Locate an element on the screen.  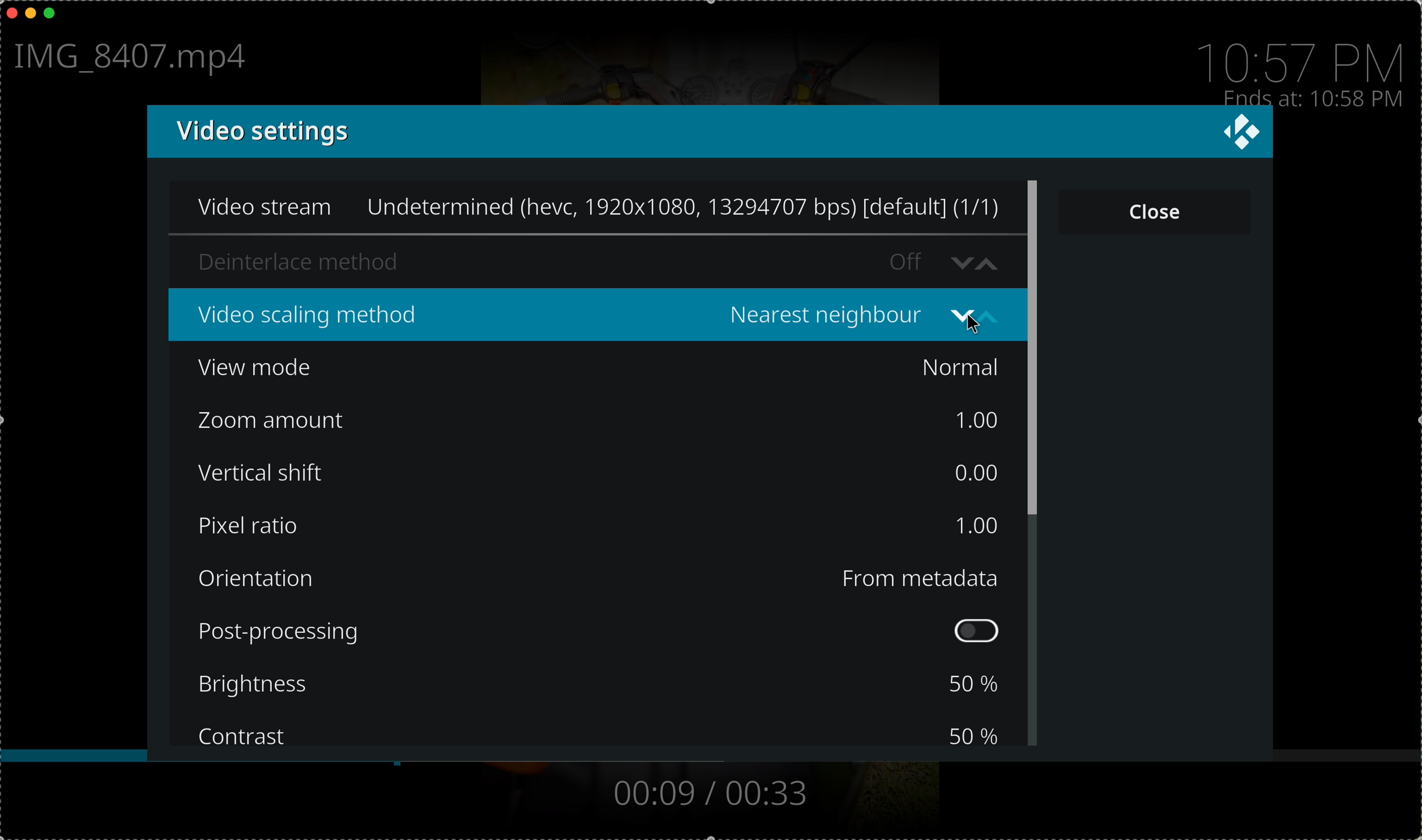
post processing is located at coordinates (603, 631).